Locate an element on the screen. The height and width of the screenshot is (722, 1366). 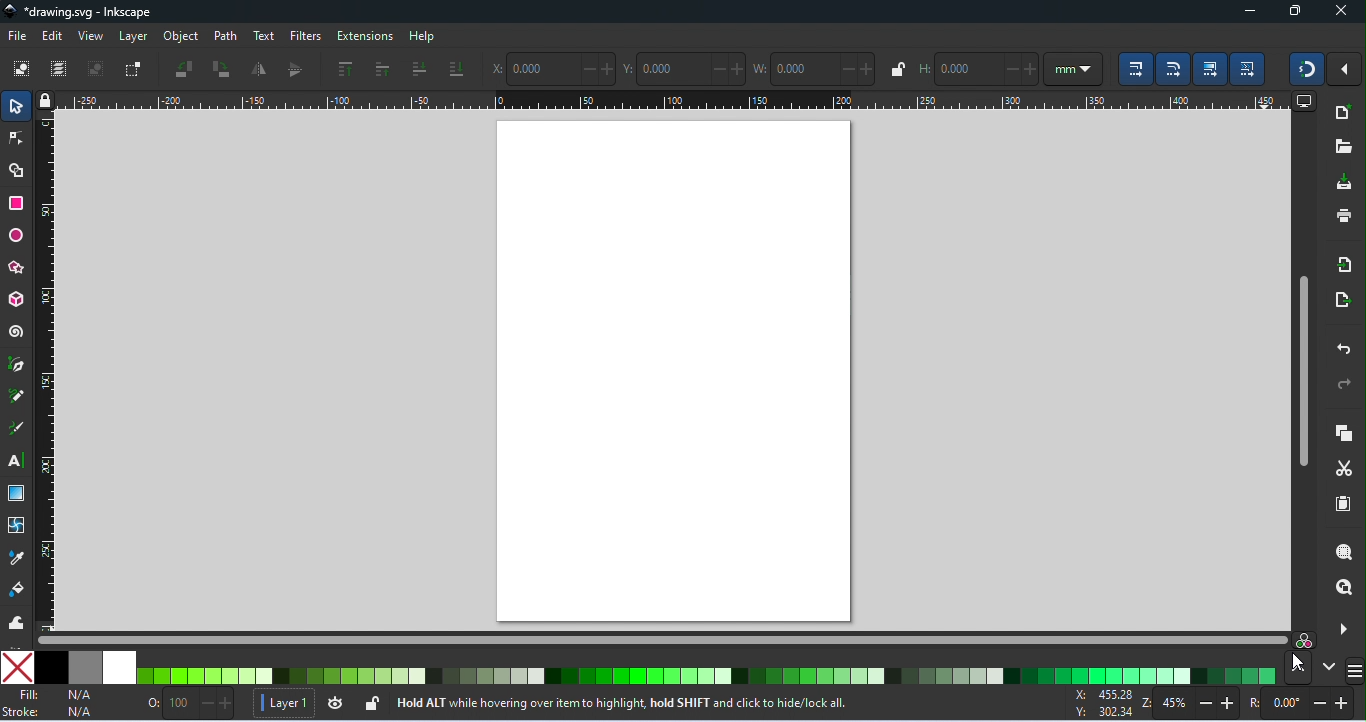
current shade of color palette is located at coordinates (705, 673).